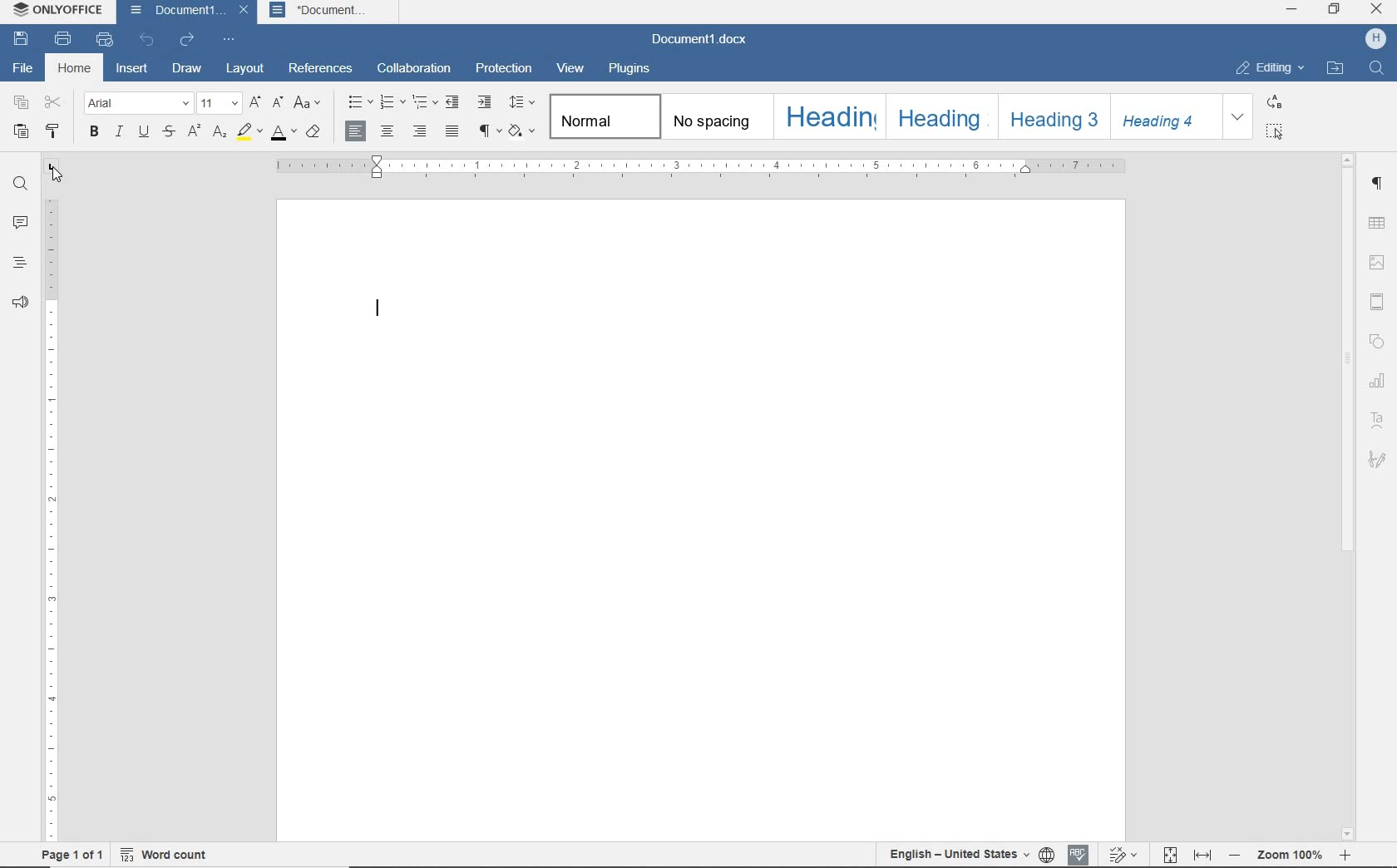 Image resolution: width=1397 pixels, height=868 pixels. Describe the element at coordinates (957, 856) in the screenshot. I see `TEXT LANGUAGE` at that location.